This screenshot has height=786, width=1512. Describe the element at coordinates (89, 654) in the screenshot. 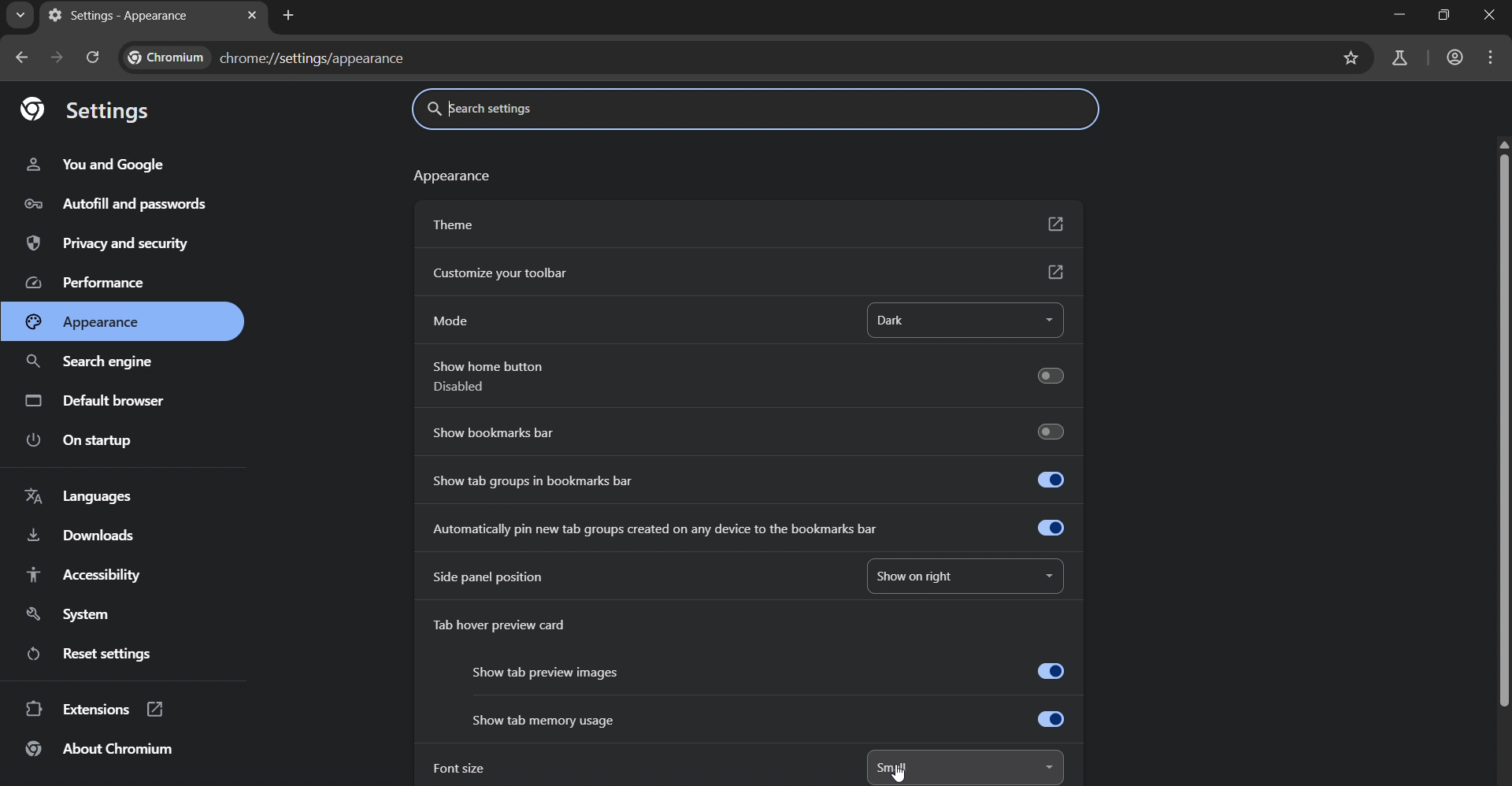

I see `reset settings` at that location.